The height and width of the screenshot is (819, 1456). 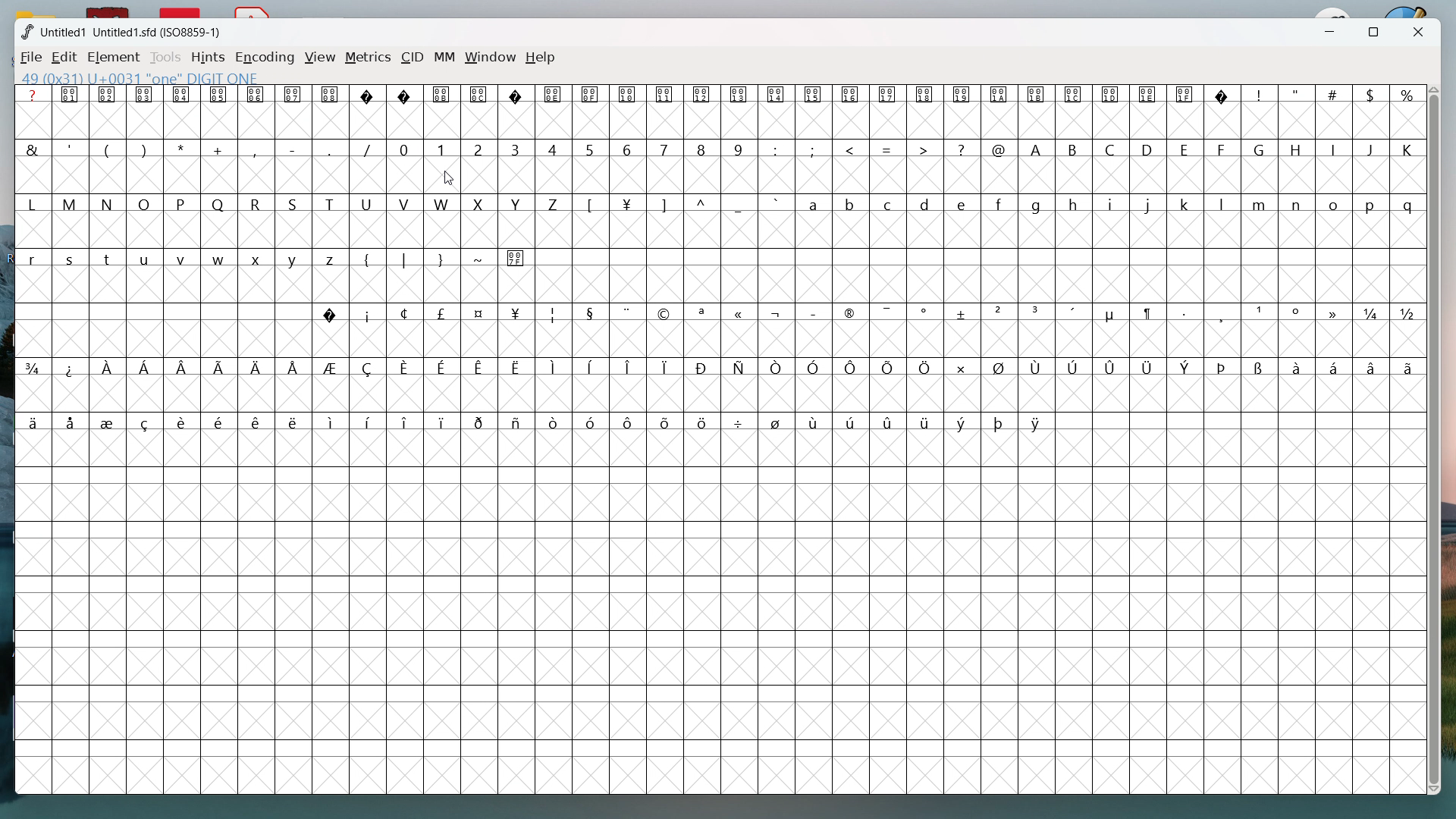 I want to click on H, so click(x=1297, y=149).